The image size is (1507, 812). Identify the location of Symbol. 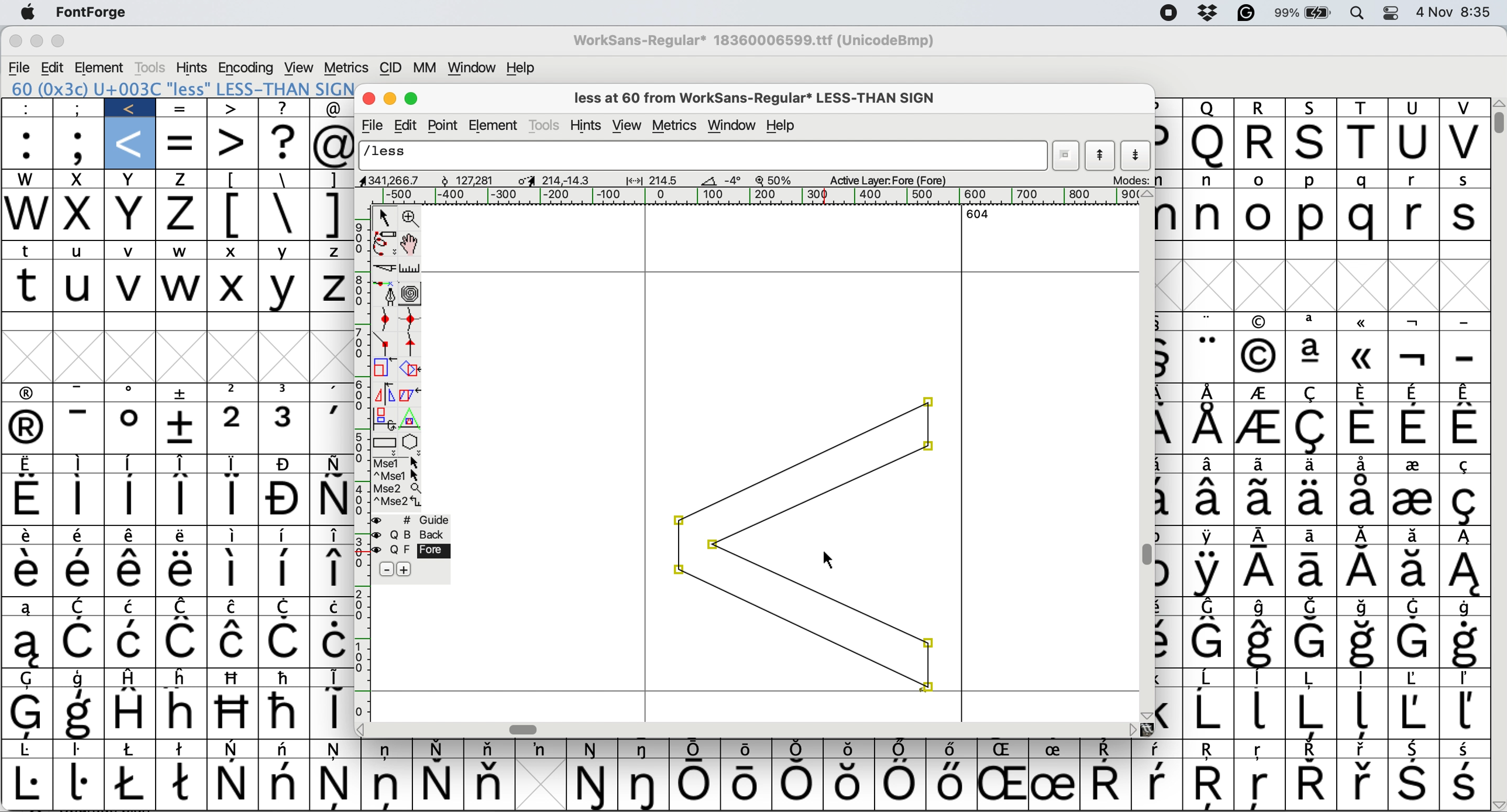
(1310, 537).